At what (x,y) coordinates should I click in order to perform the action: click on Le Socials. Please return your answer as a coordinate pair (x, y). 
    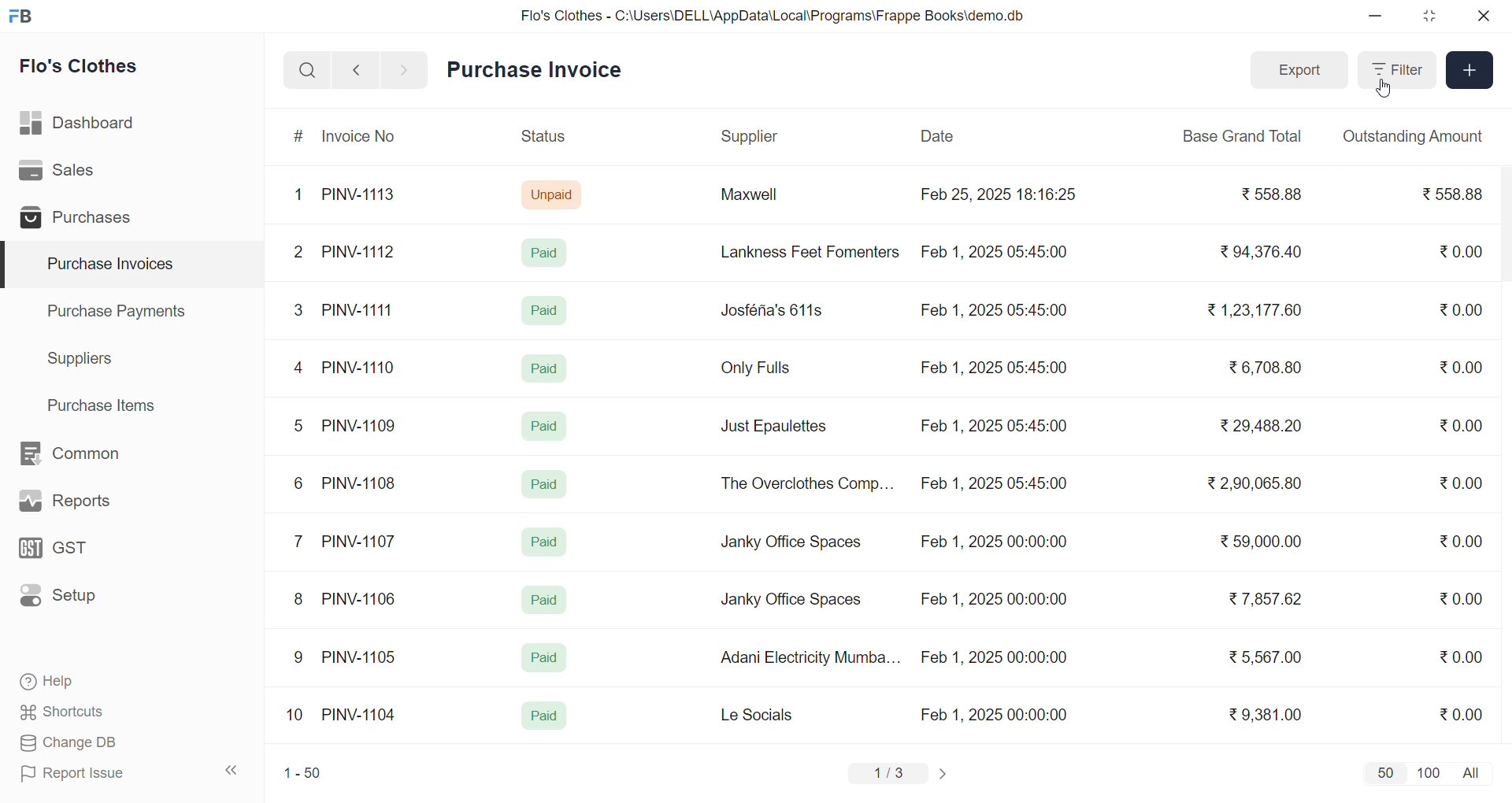
    Looking at the image, I should click on (770, 714).